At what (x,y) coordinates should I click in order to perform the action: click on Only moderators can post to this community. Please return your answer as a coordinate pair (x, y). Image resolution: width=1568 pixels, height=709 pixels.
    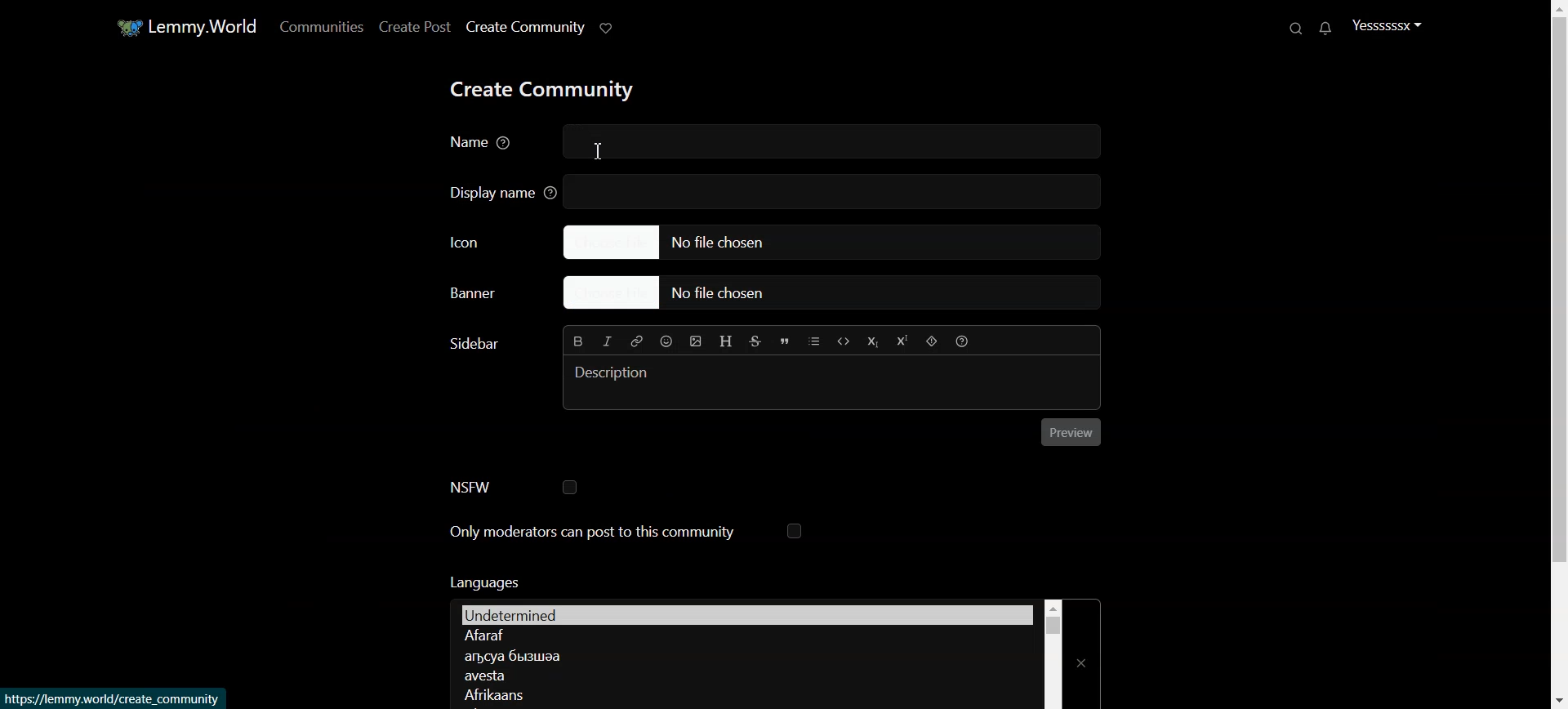
    Looking at the image, I should click on (626, 533).